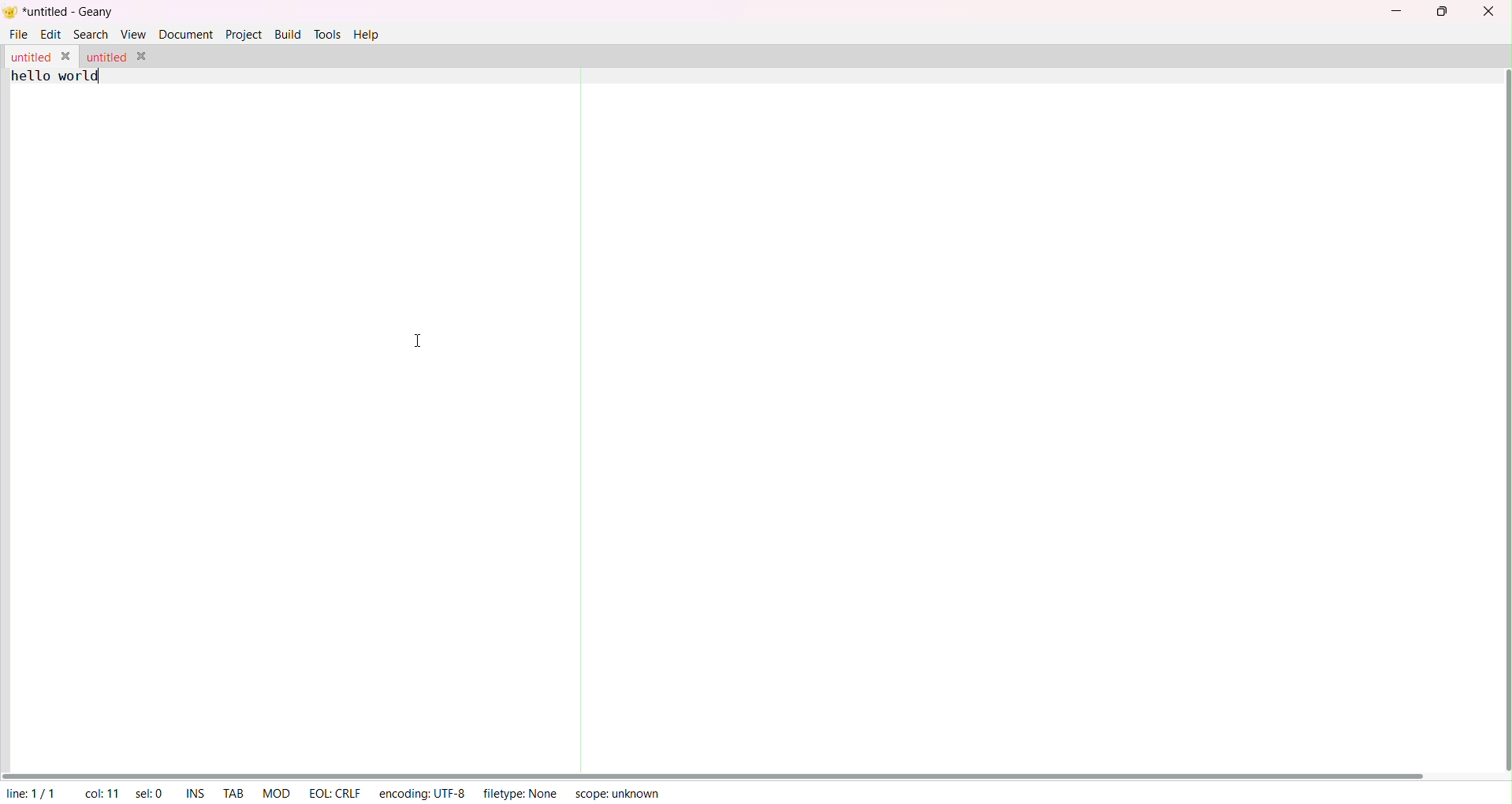 The image size is (1512, 804). What do you see at coordinates (9, 15) in the screenshot?
I see `logo` at bounding box center [9, 15].